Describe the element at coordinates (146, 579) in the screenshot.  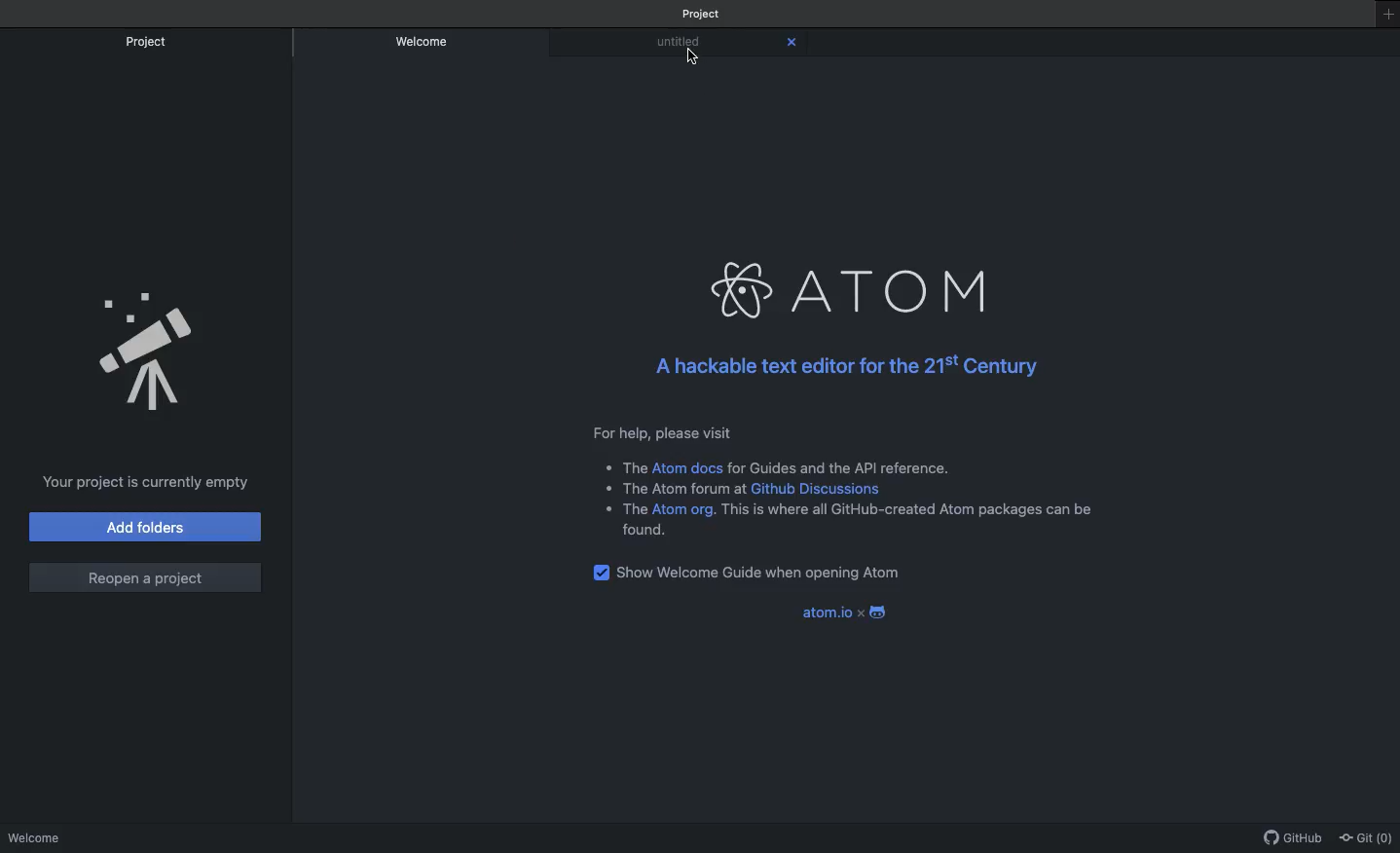
I see `Reopen a project` at that location.